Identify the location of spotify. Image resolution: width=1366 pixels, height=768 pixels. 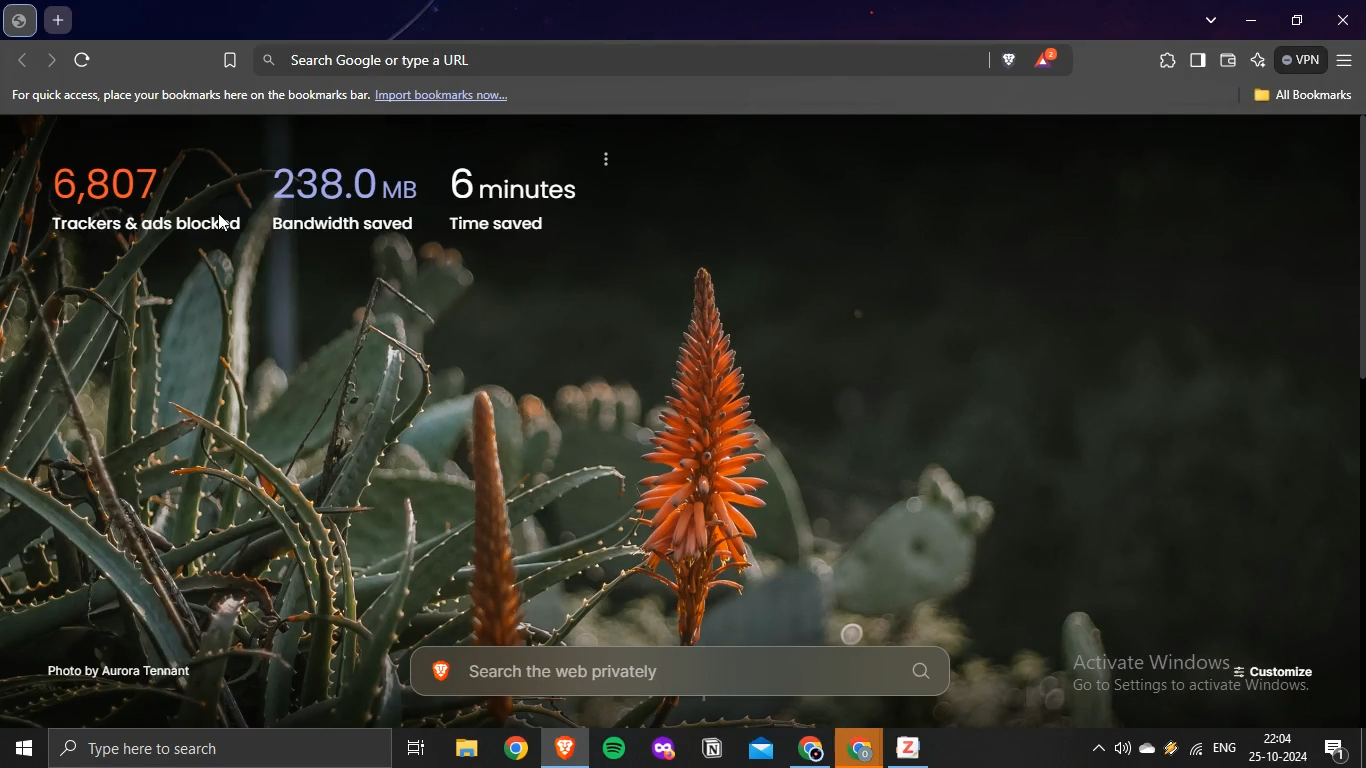
(614, 748).